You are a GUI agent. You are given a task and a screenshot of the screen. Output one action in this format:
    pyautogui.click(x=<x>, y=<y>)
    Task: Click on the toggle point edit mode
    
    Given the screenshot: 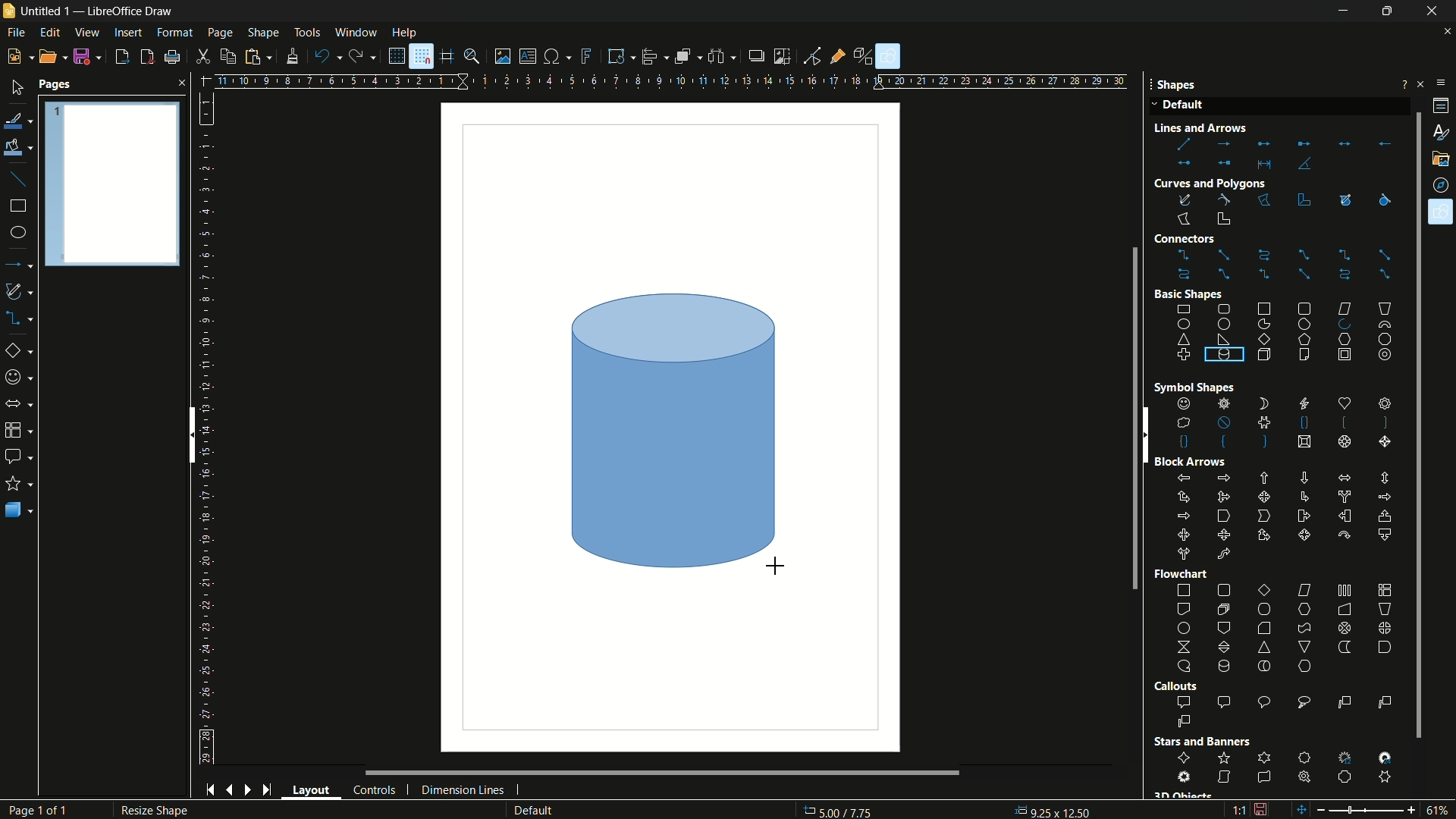 What is the action you would take?
    pyautogui.click(x=813, y=56)
    